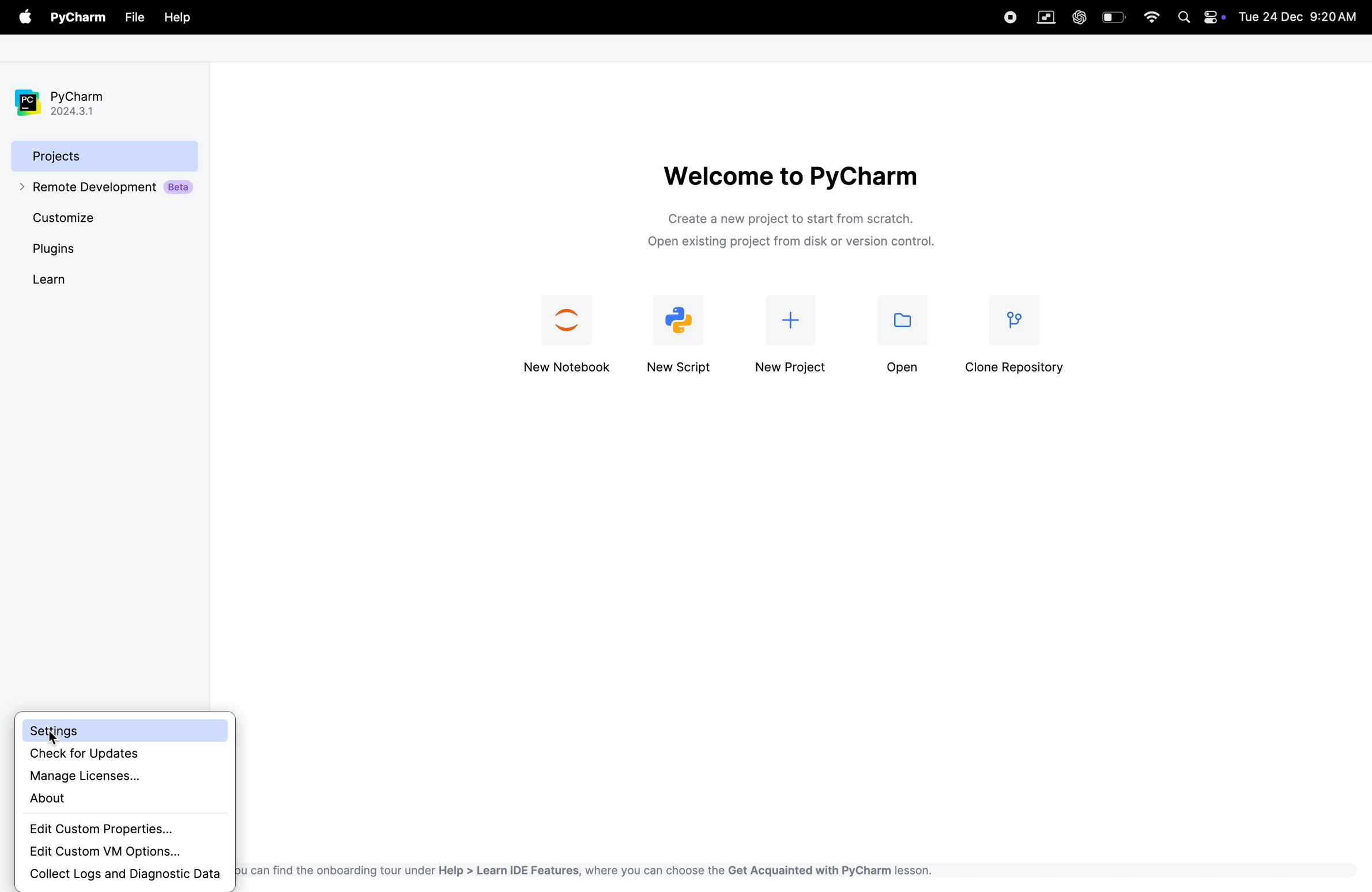 The image size is (1372, 892). I want to click on collect logs and diagnostic data, so click(124, 875).